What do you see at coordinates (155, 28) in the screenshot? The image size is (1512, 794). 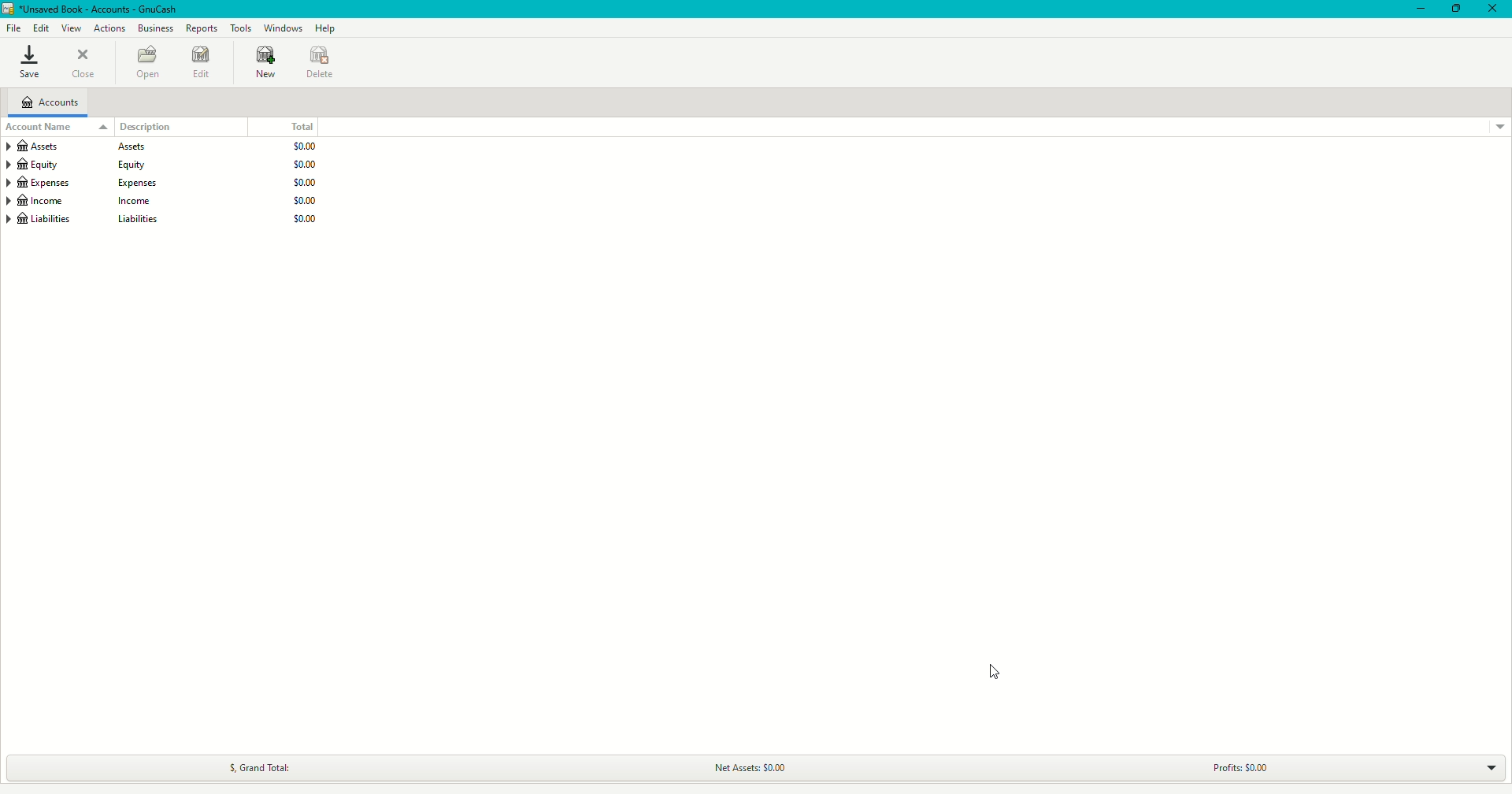 I see `Business` at bounding box center [155, 28].